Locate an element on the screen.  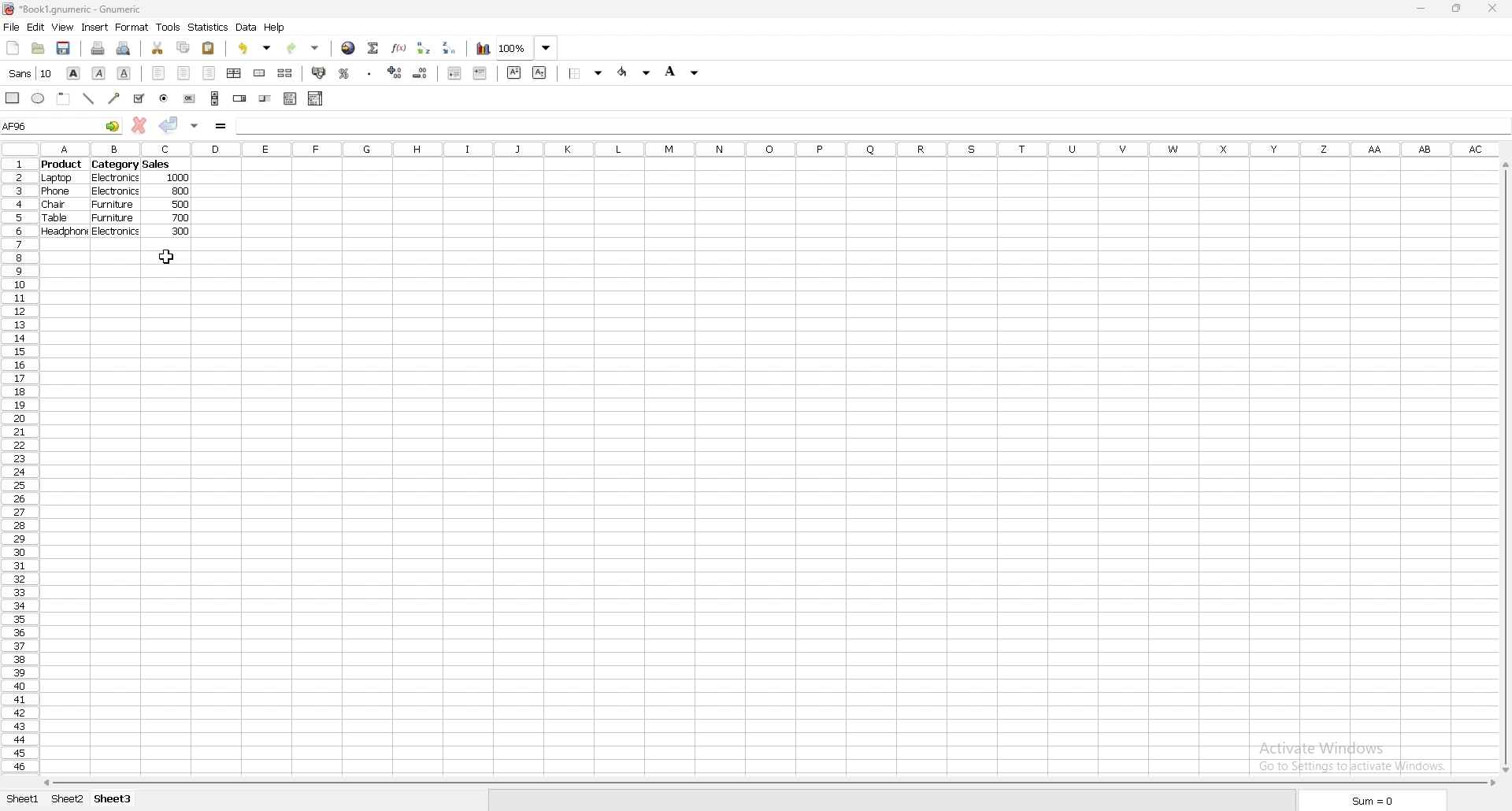
300 is located at coordinates (182, 232).